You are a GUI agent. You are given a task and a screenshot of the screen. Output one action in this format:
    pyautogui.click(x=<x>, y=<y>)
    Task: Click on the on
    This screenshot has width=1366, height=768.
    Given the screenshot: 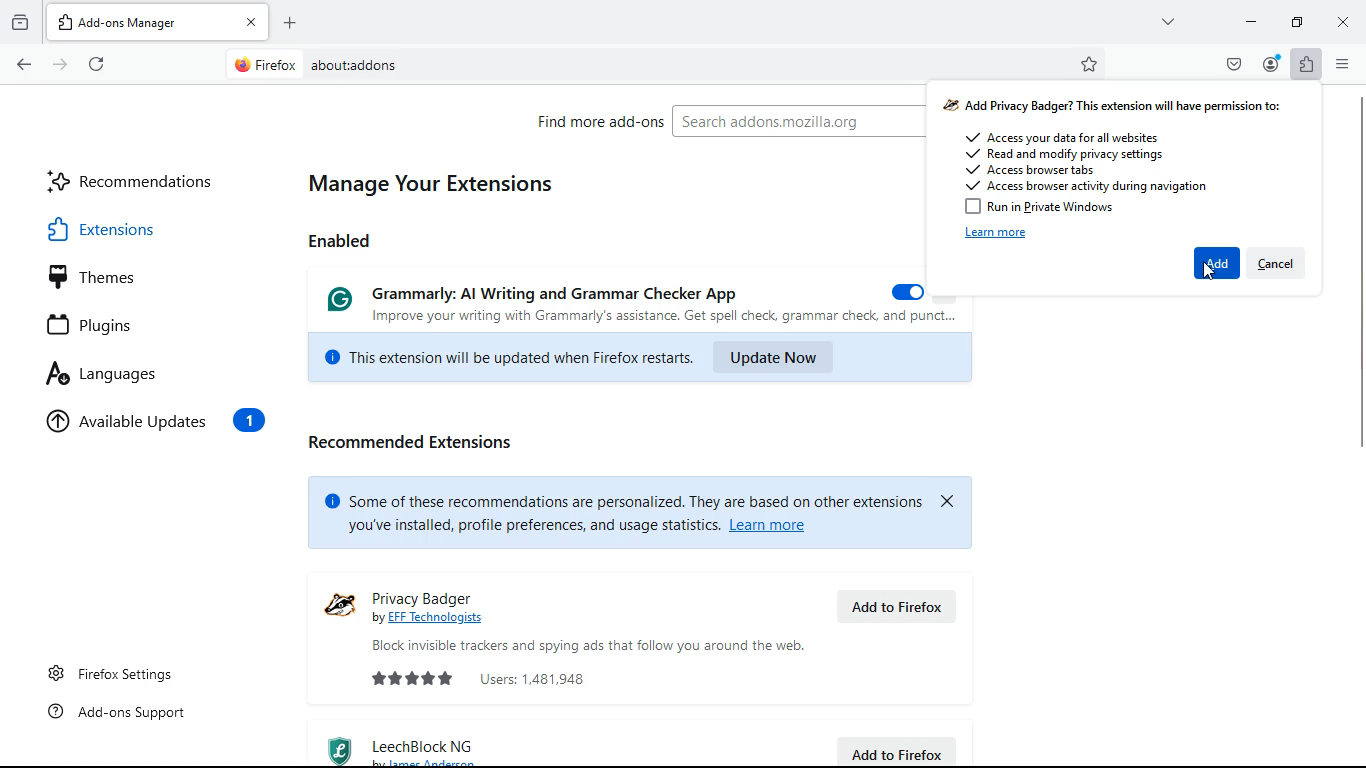 What is the action you would take?
    pyautogui.click(x=908, y=292)
    